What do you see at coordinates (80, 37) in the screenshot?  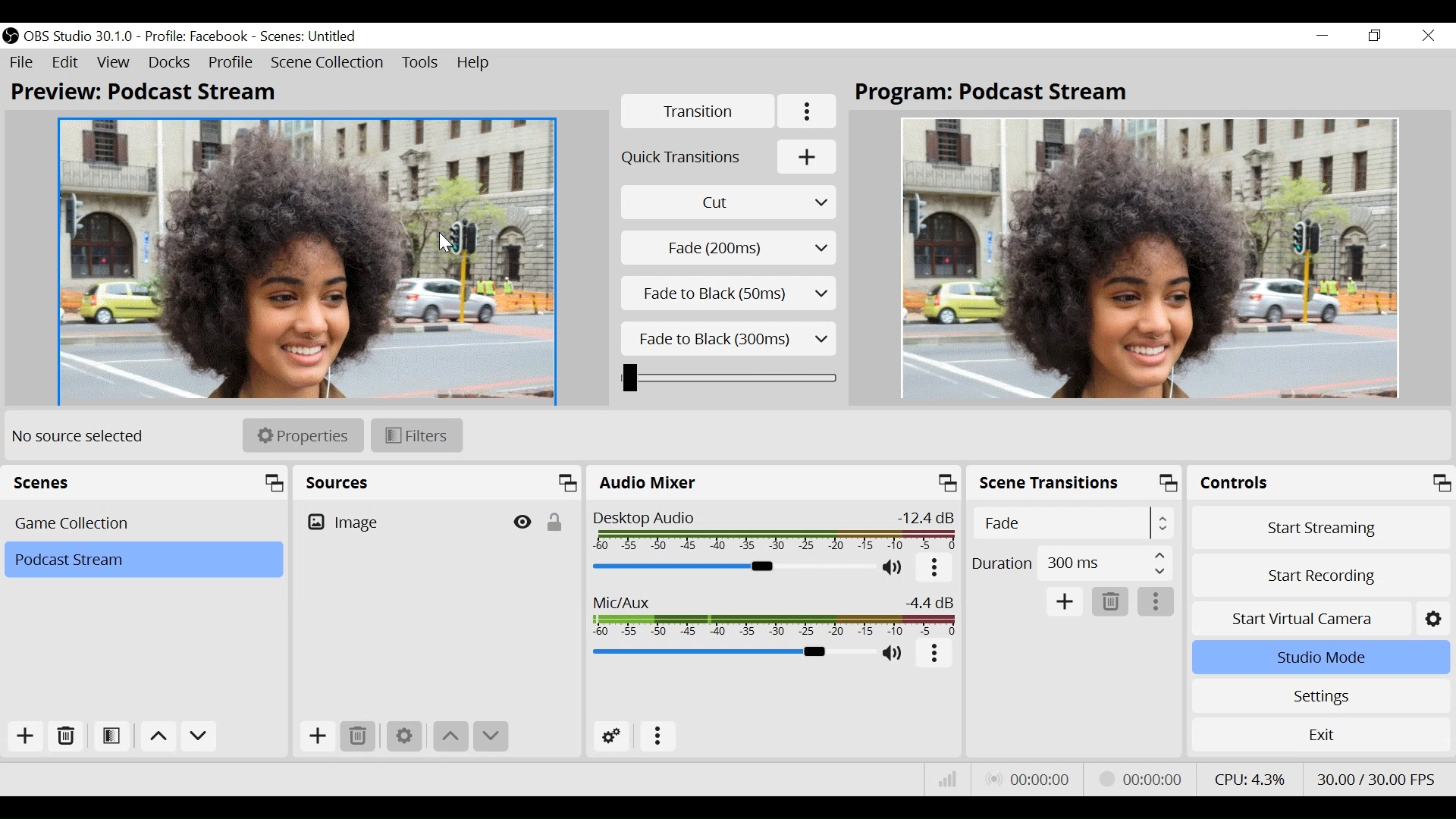 I see `OBS Version` at bounding box center [80, 37].